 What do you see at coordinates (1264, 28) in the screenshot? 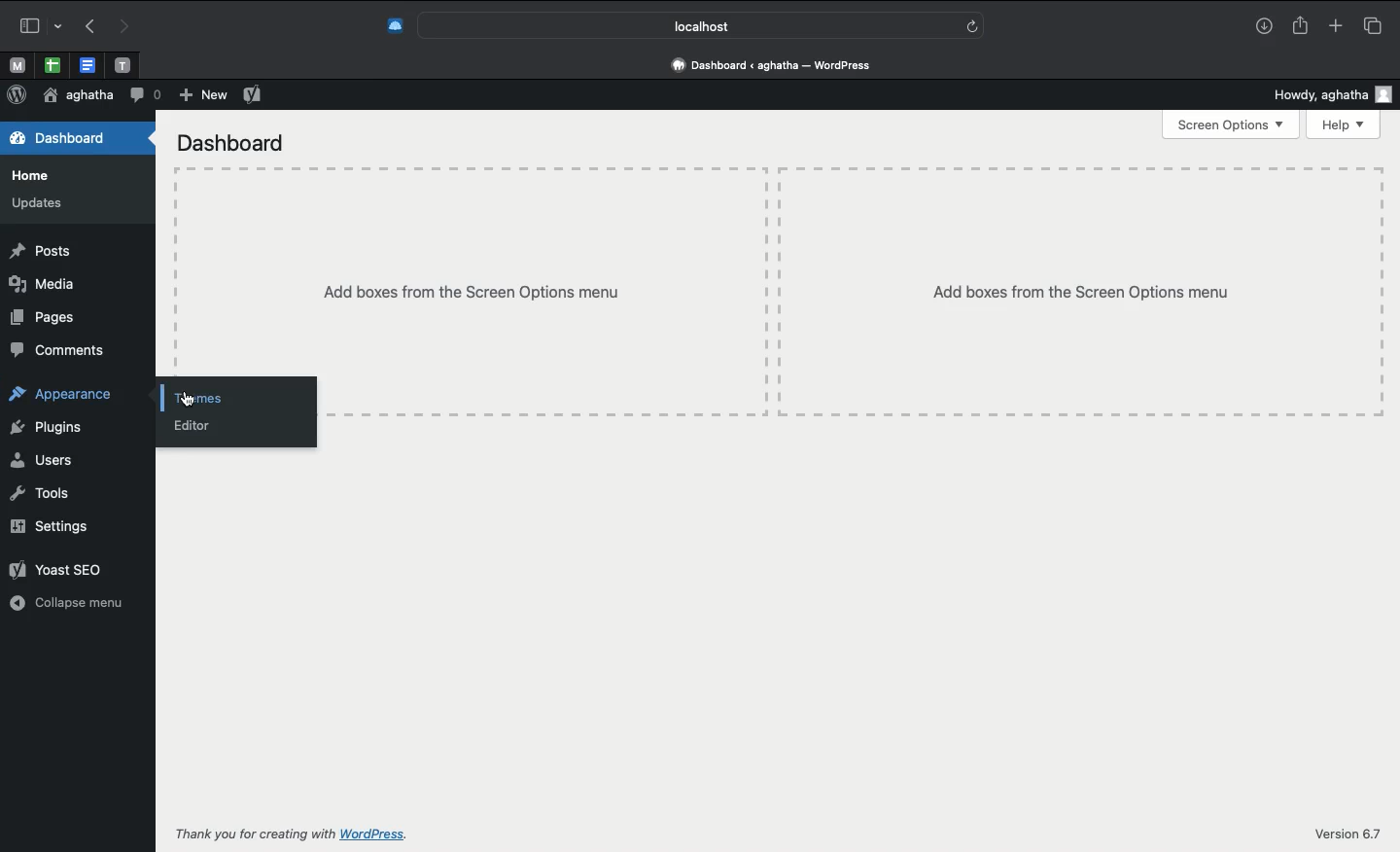
I see `Downlaods` at bounding box center [1264, 28].